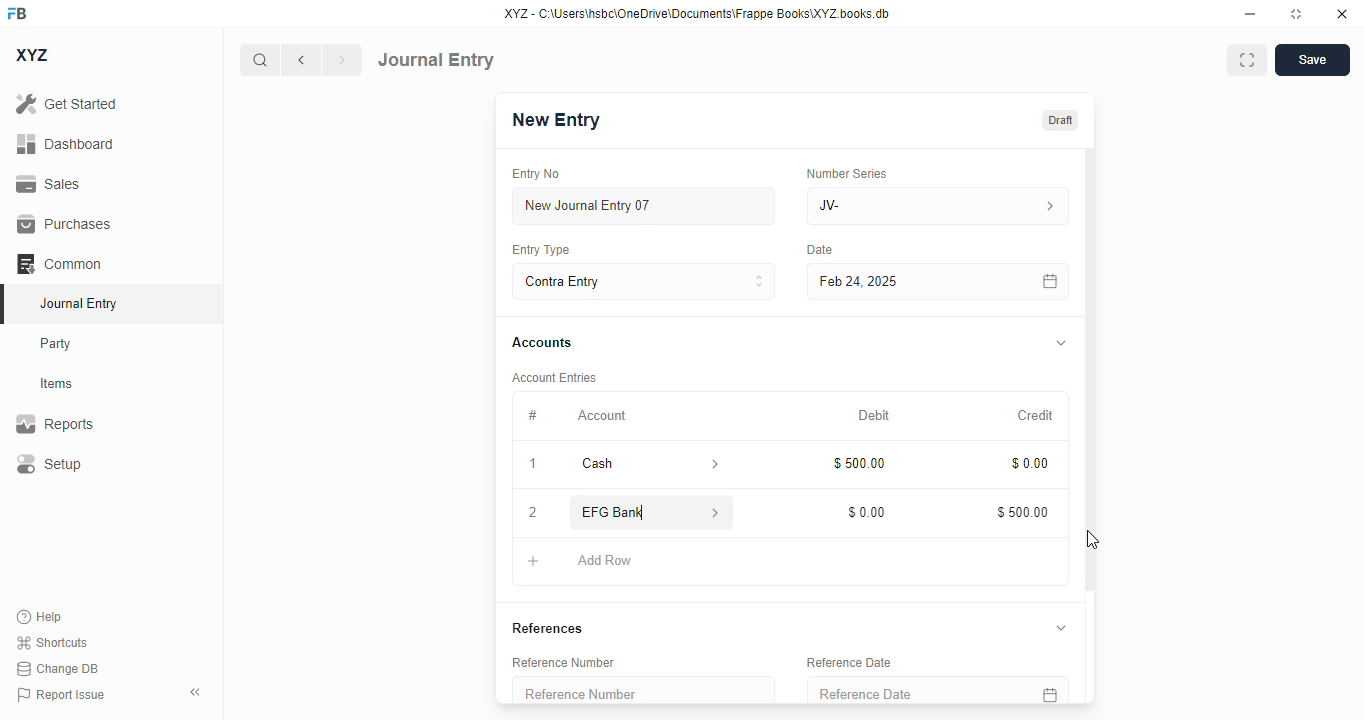 The height and width of the screenshot is (720, 1364). What do you see at coordinates (17, 13) in the screenshot?
I see `FB - logo` at bounding box center [17, 13].